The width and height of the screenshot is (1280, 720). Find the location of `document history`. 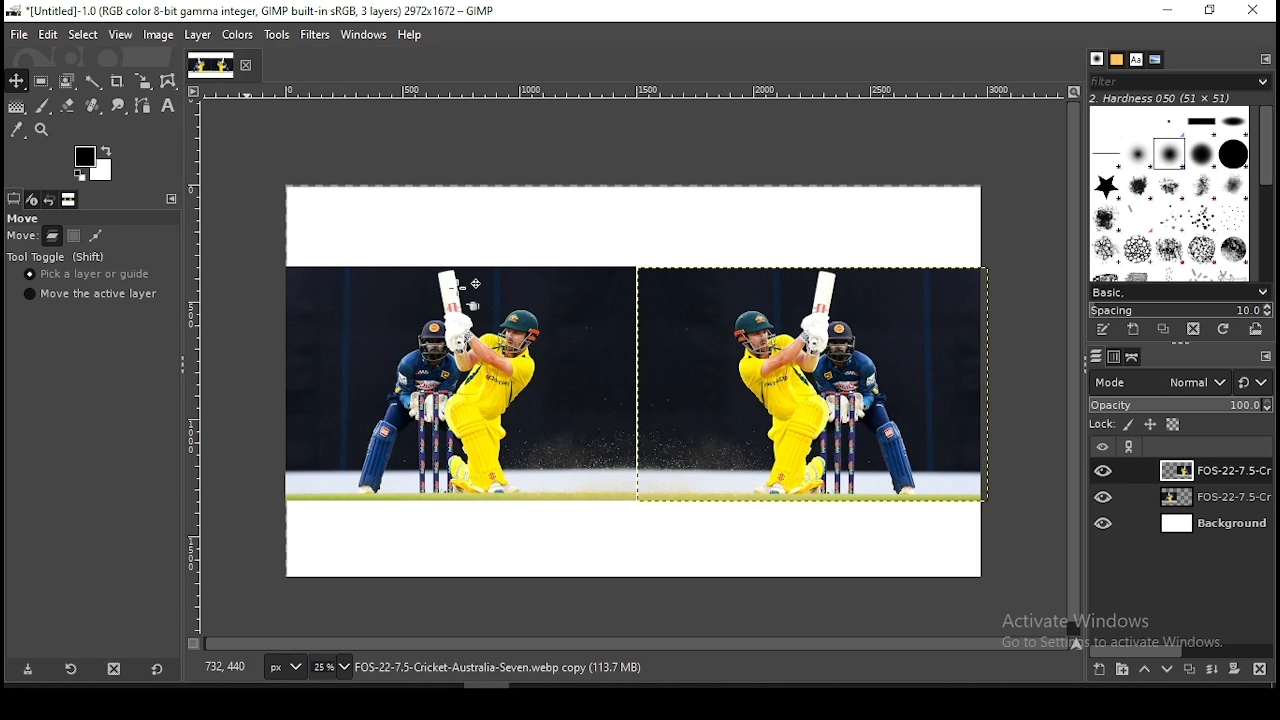

document history is located at coordinates (1156, 60).